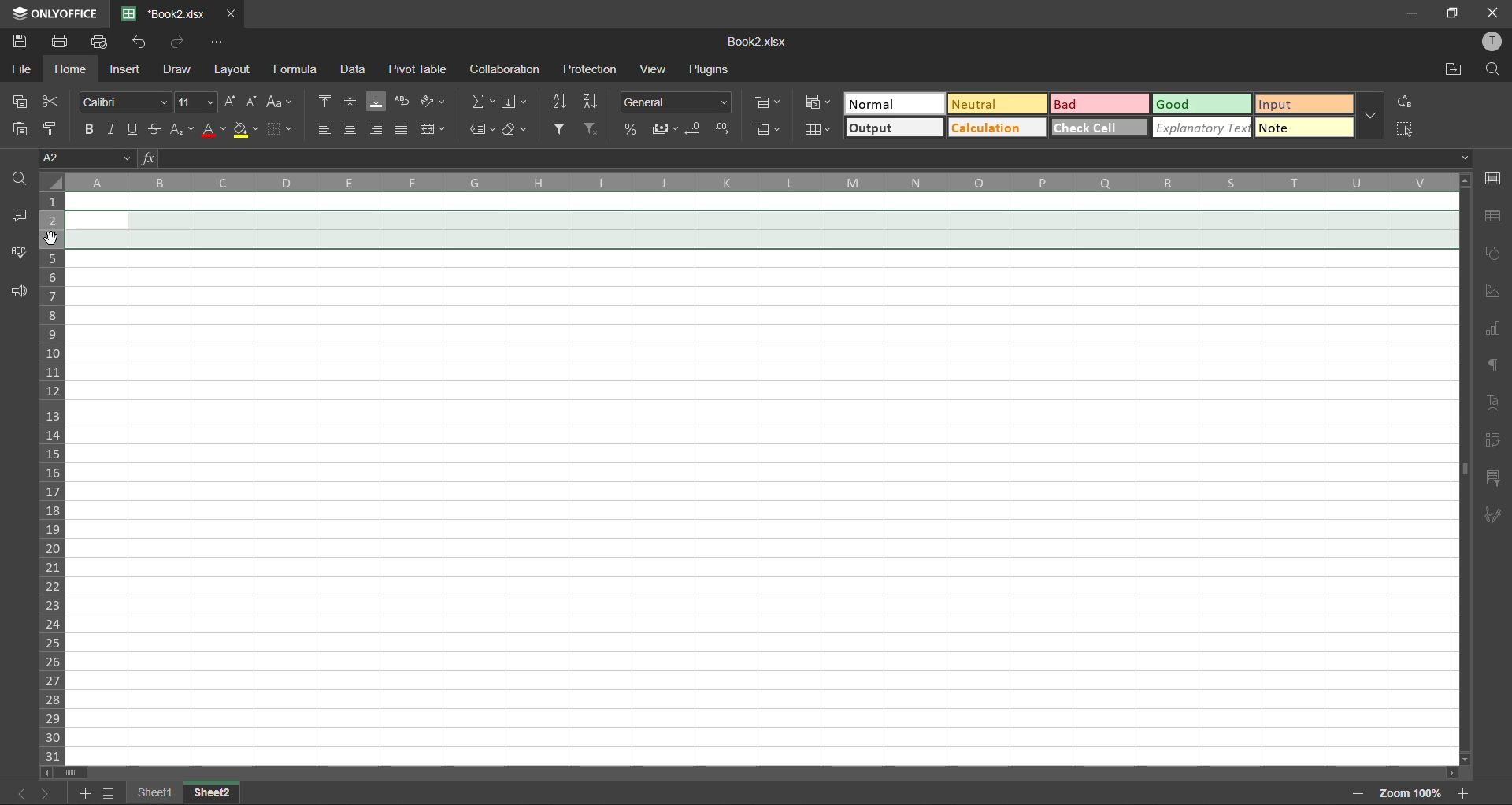 Image resolution: width=1512 pixels, height=805 pixels. I want to click on accounting, so click(667, 130).